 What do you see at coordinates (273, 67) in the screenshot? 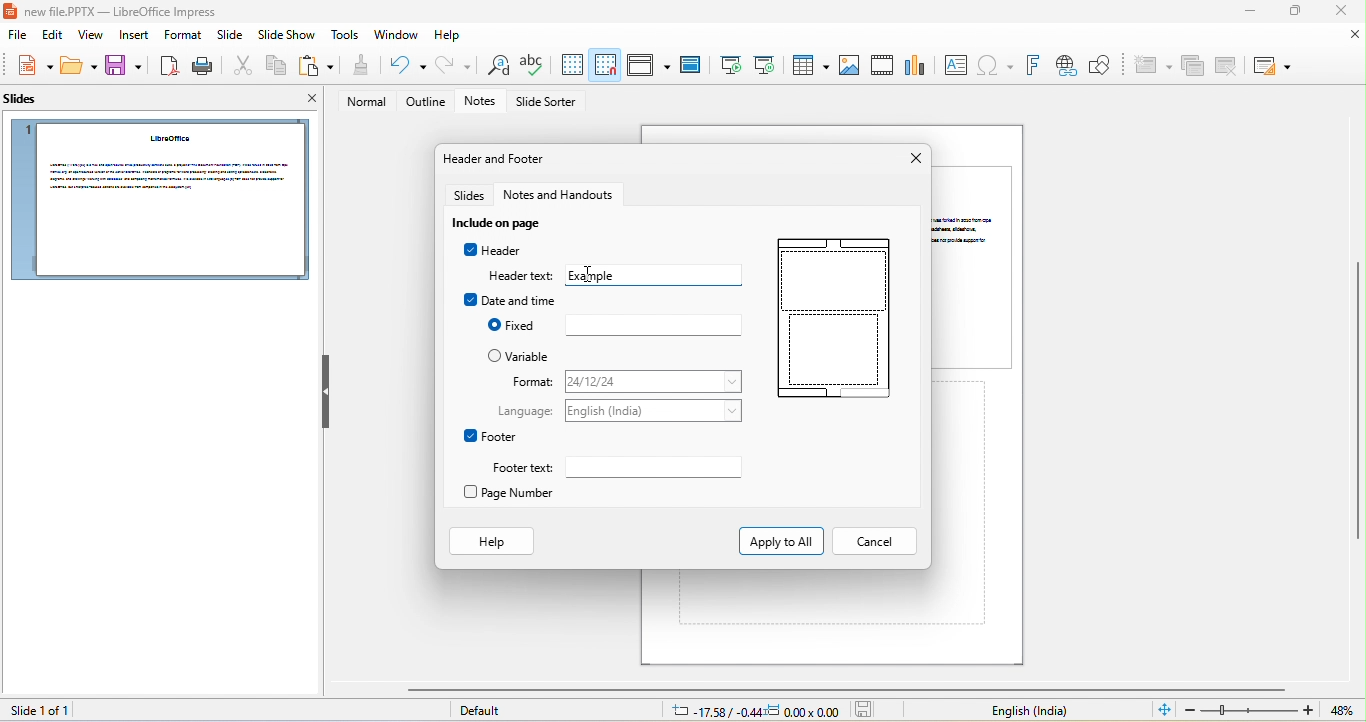
I see `copy` at bounding box center [273, 67].